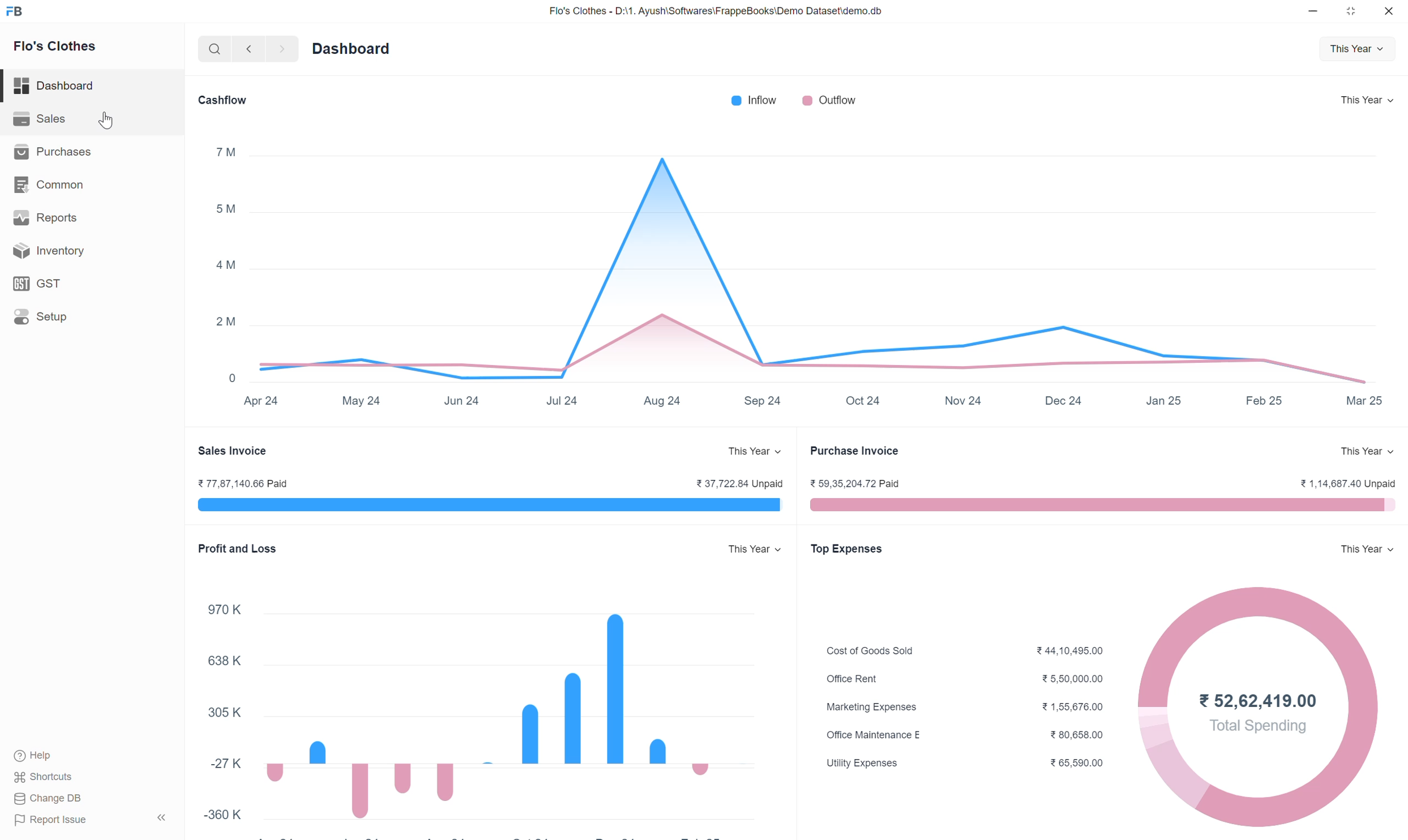 The image size is (1408, 840). What do you see at coordinates (77, 84) in the screenshot?
I see `Dashboard ` at bounding box center [77, 84].